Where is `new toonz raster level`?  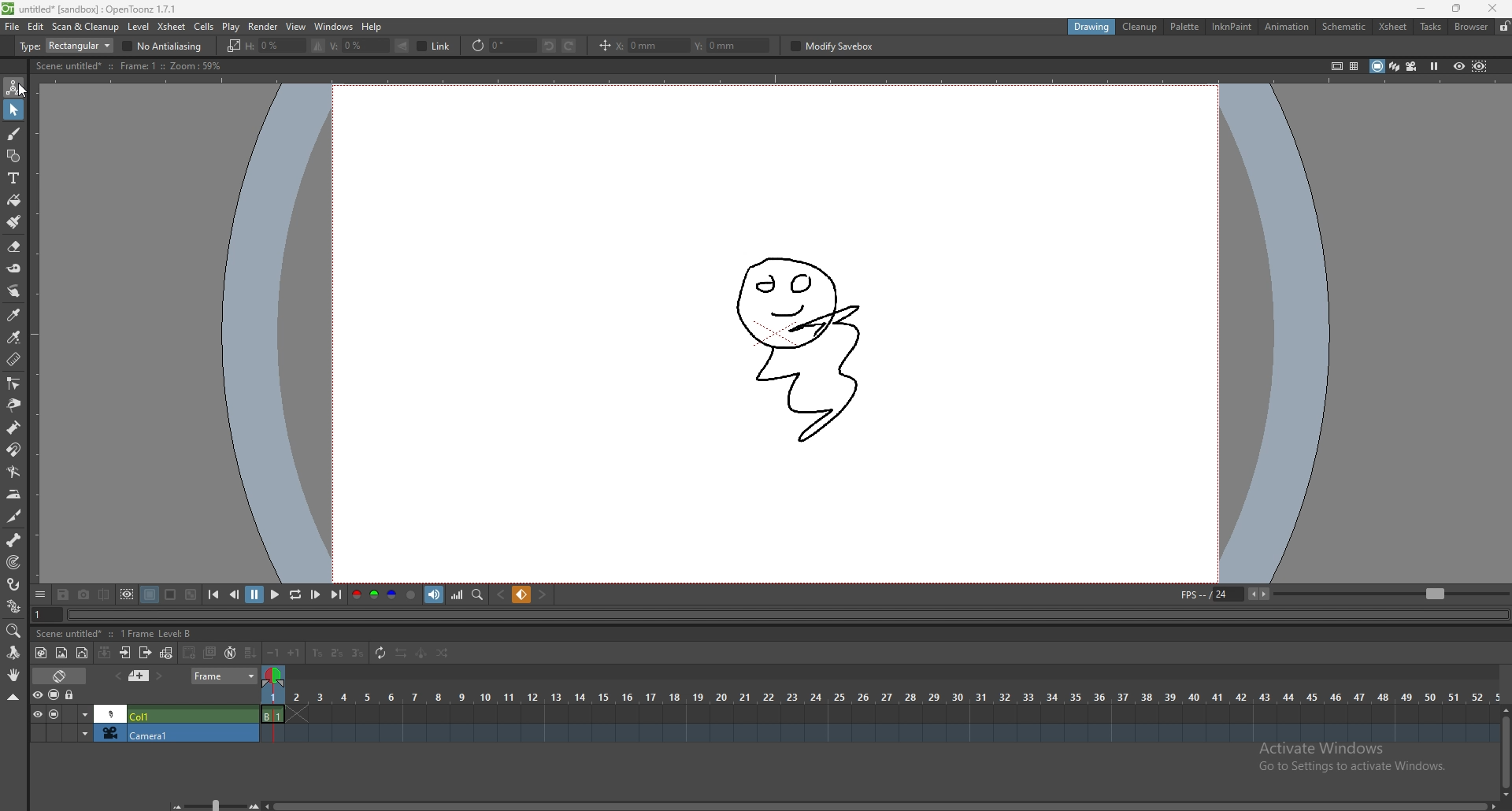
new toonz raster level is located at coordinates (42, 654).